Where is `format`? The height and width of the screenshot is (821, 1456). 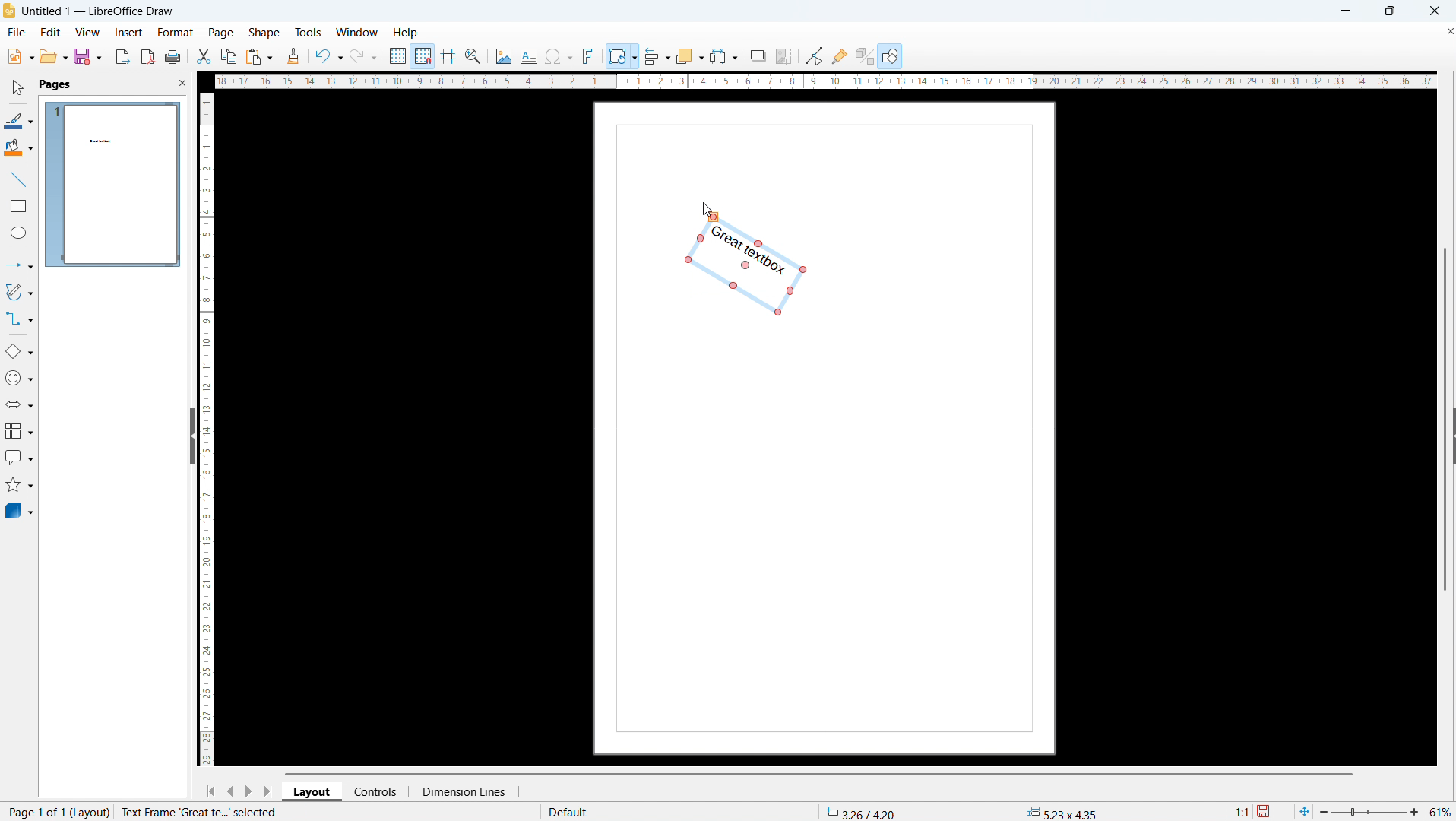 format is located at coordinates (174, 32).